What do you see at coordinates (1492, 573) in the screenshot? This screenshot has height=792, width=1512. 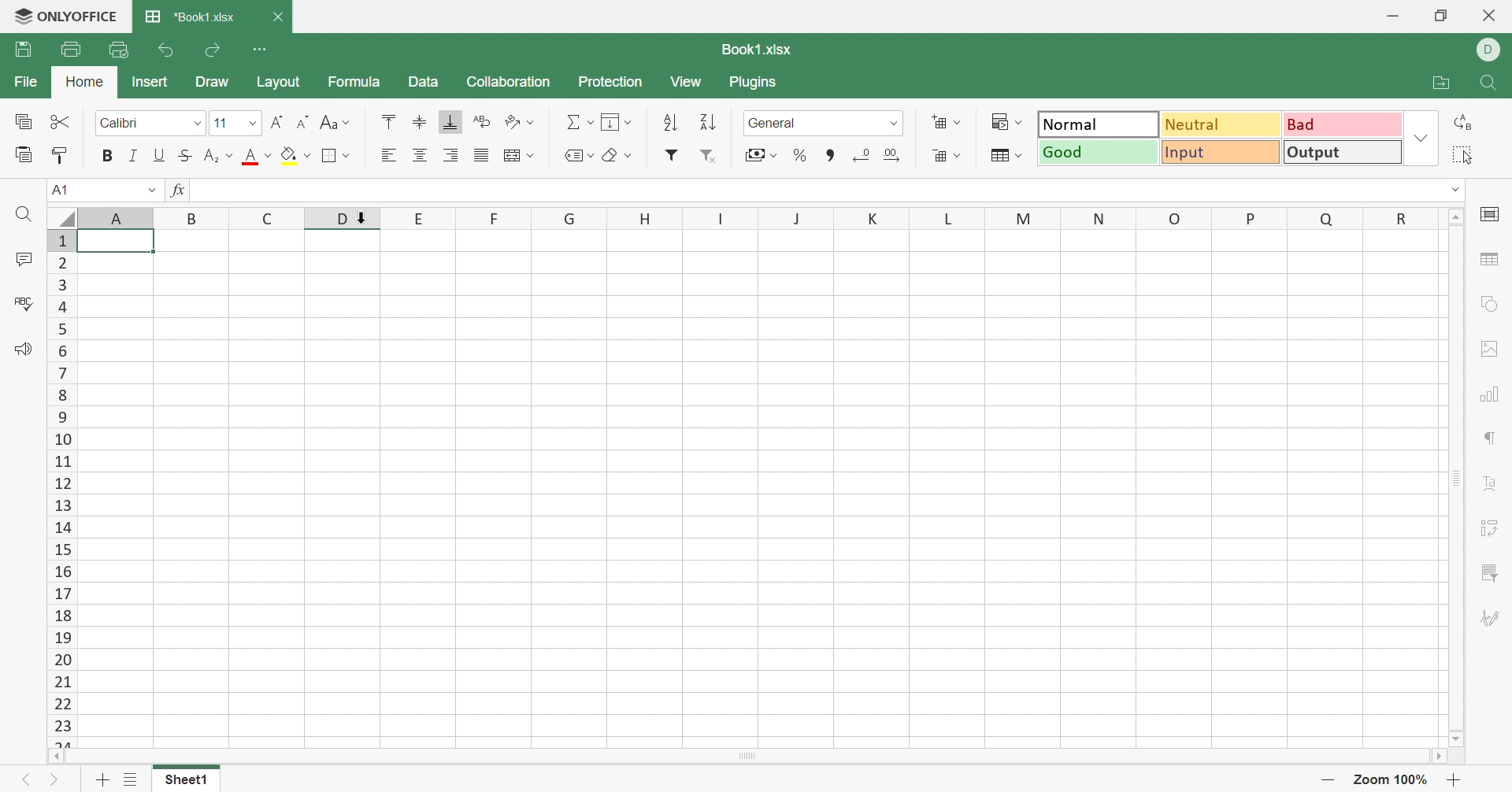 I see `Slicer settings` at bounding box center [1492, 573].